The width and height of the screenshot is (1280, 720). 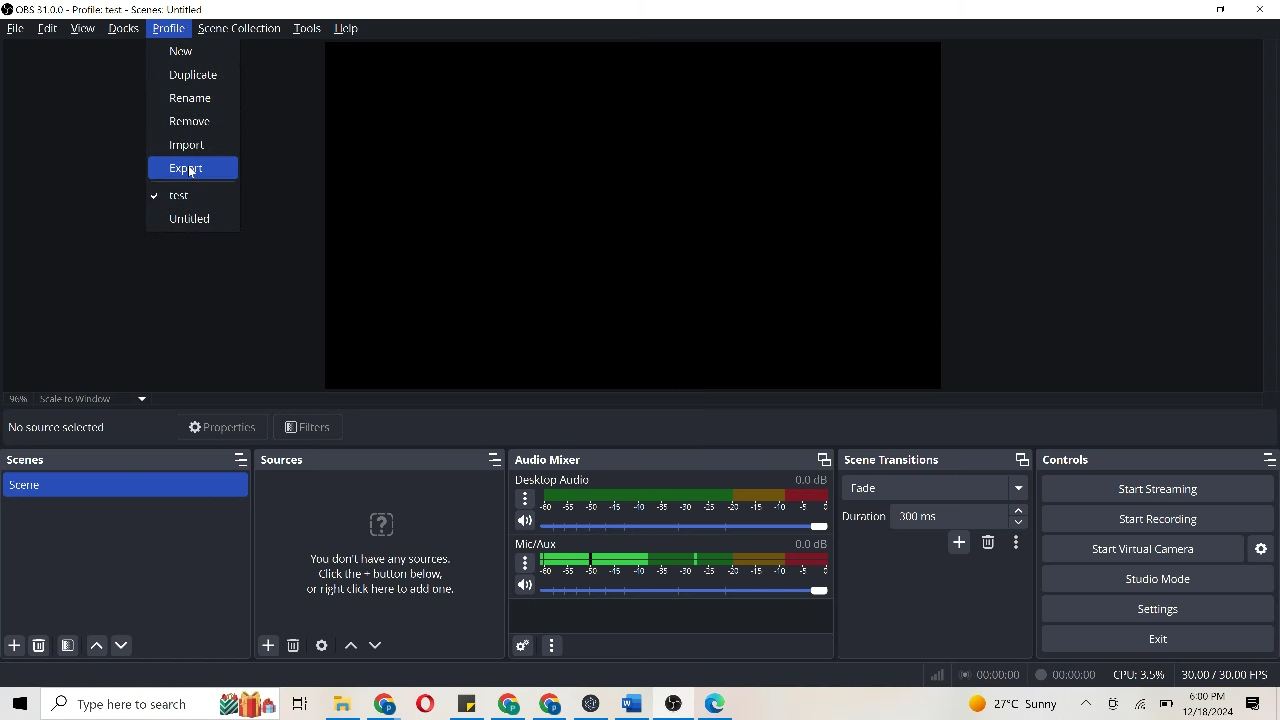 I want to click on Import, so click(x=187, y=143).